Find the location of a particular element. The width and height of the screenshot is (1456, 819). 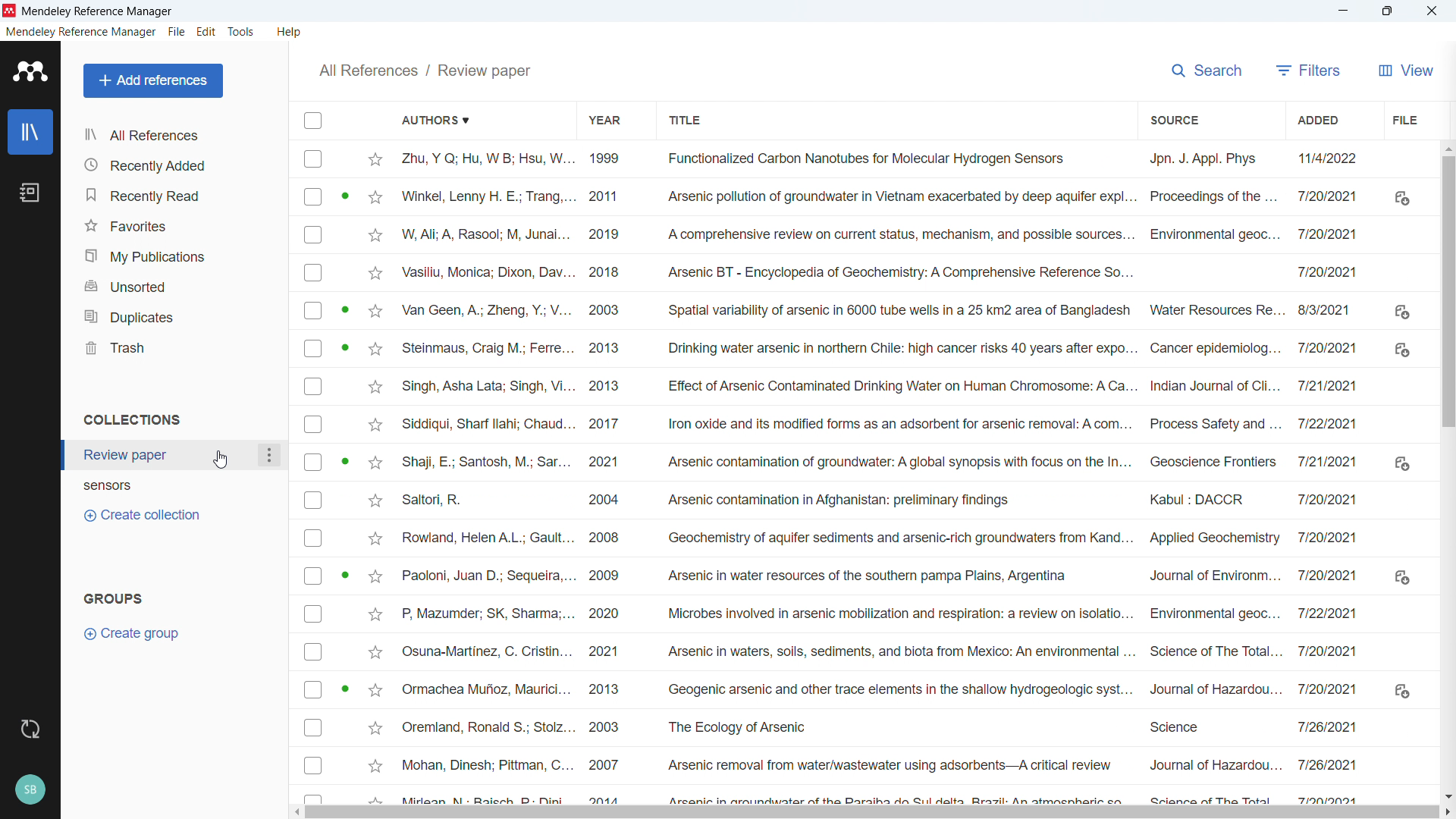

Library  is located at coordinates (30, 132).